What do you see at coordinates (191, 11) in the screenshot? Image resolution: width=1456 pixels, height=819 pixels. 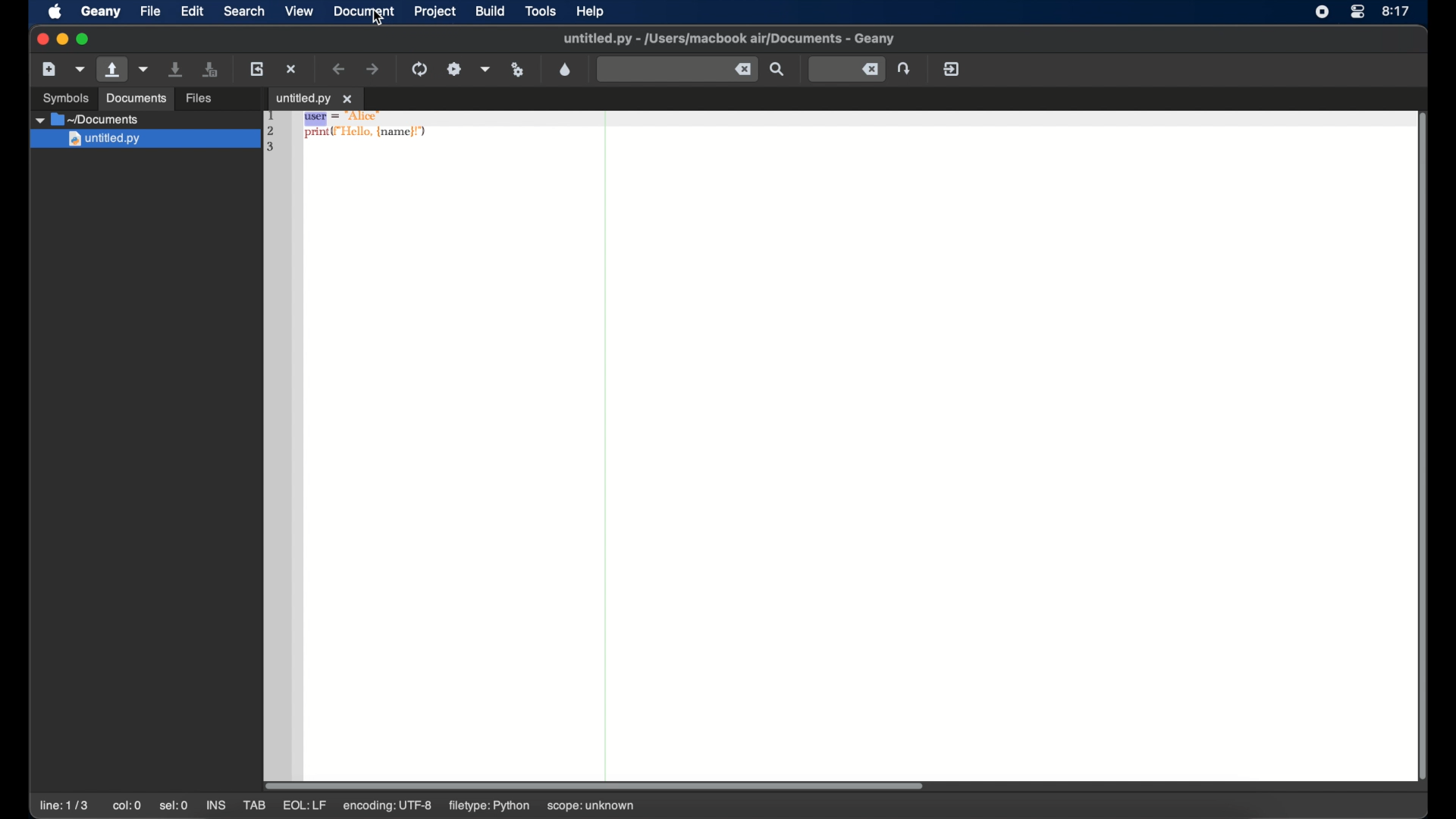 I see `edit` at bounding box center [191, 11].